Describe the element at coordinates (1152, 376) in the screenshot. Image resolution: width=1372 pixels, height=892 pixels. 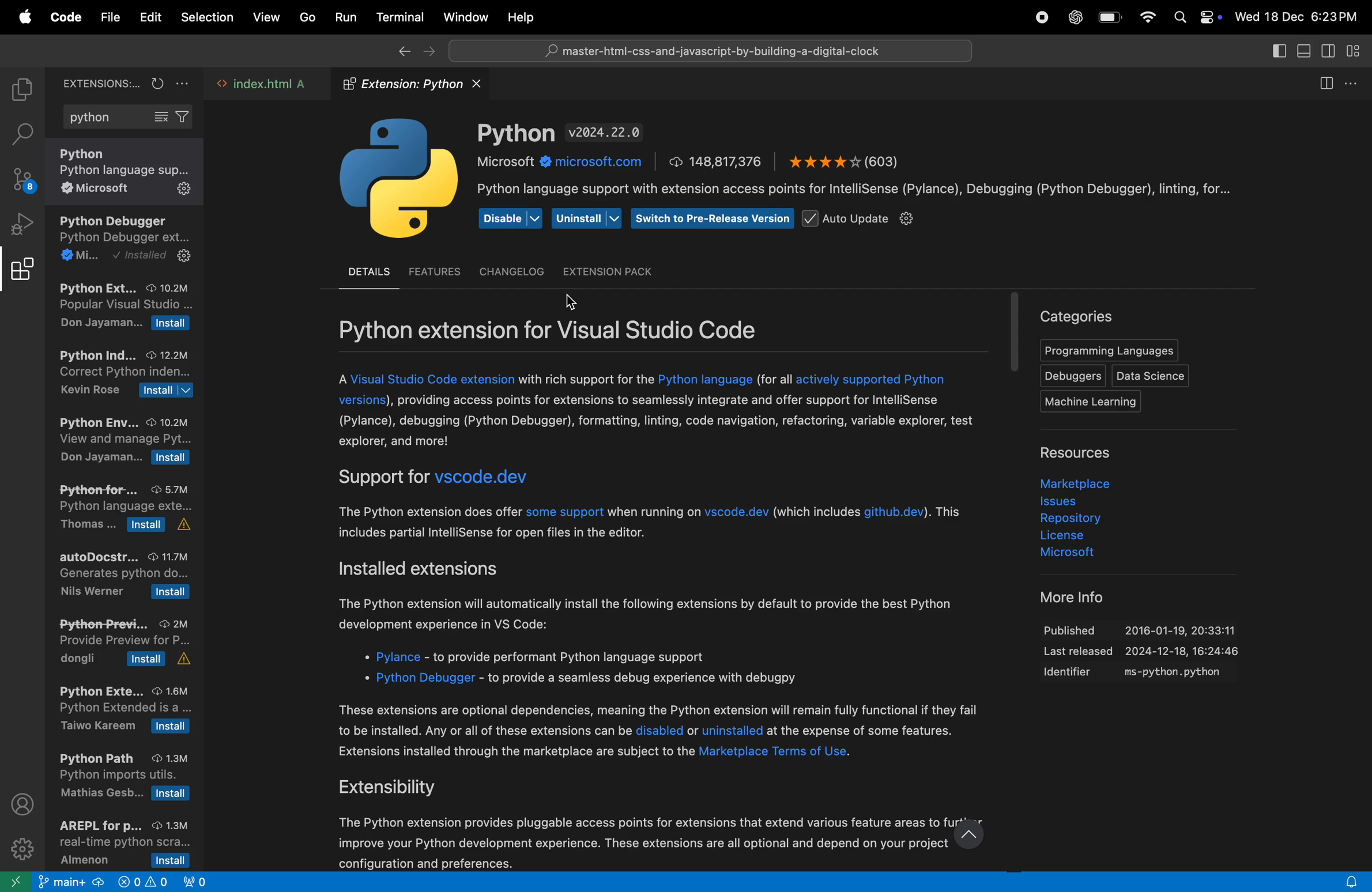
I see `Data science` at that location.